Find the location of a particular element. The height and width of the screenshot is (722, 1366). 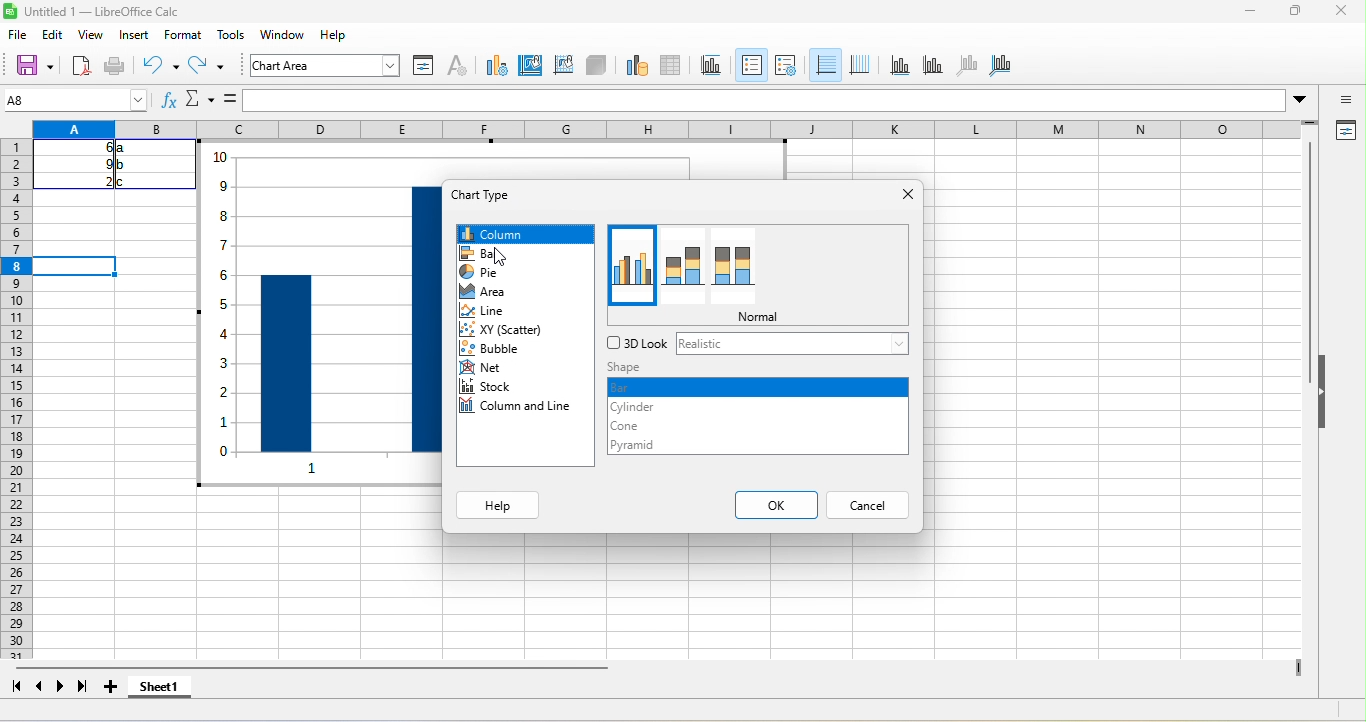

close is located at coordinates (905, 194).